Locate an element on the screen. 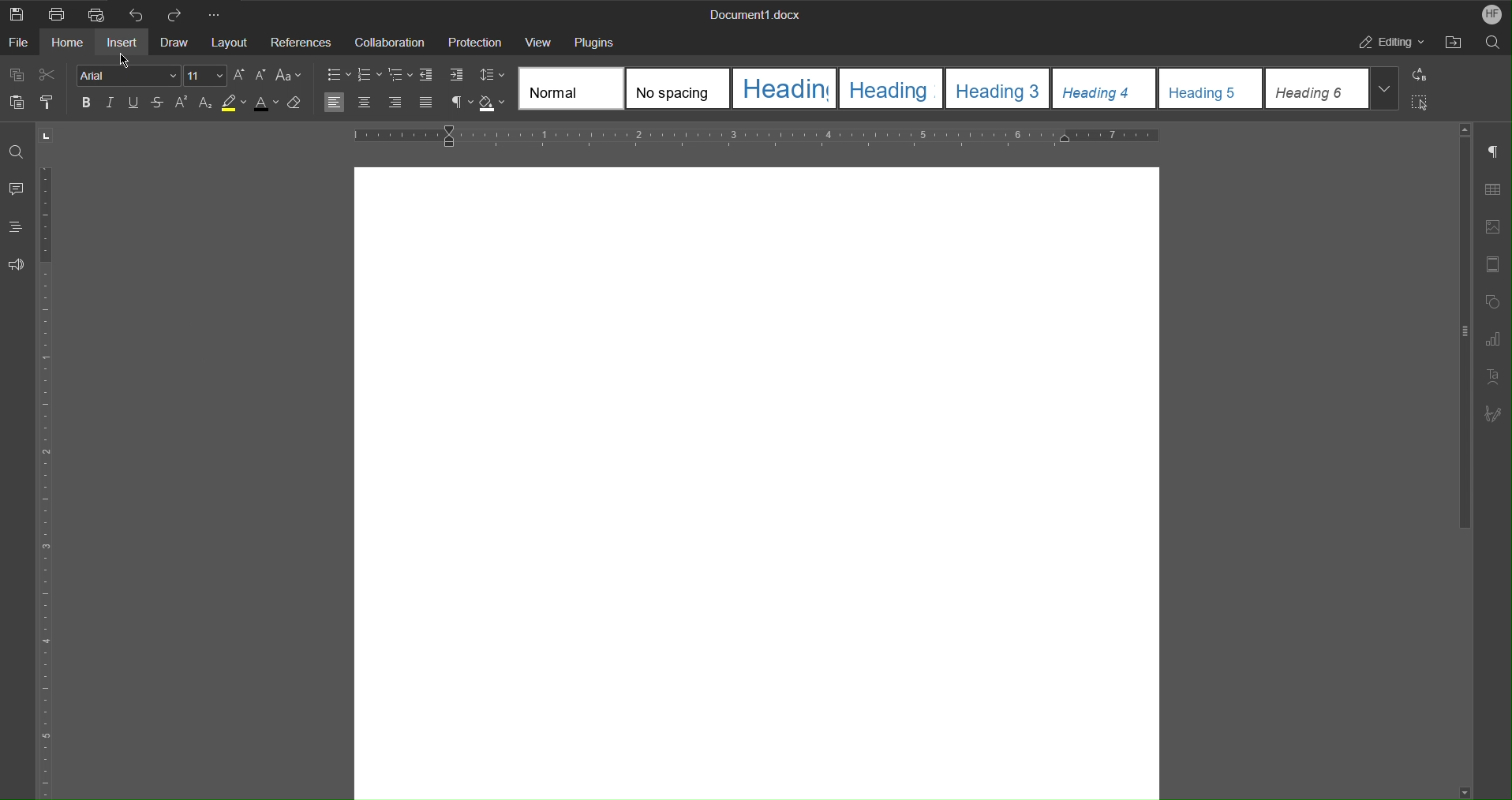 The image size is (1512, 800). Heading 3 is located at coordinates (997, 88).